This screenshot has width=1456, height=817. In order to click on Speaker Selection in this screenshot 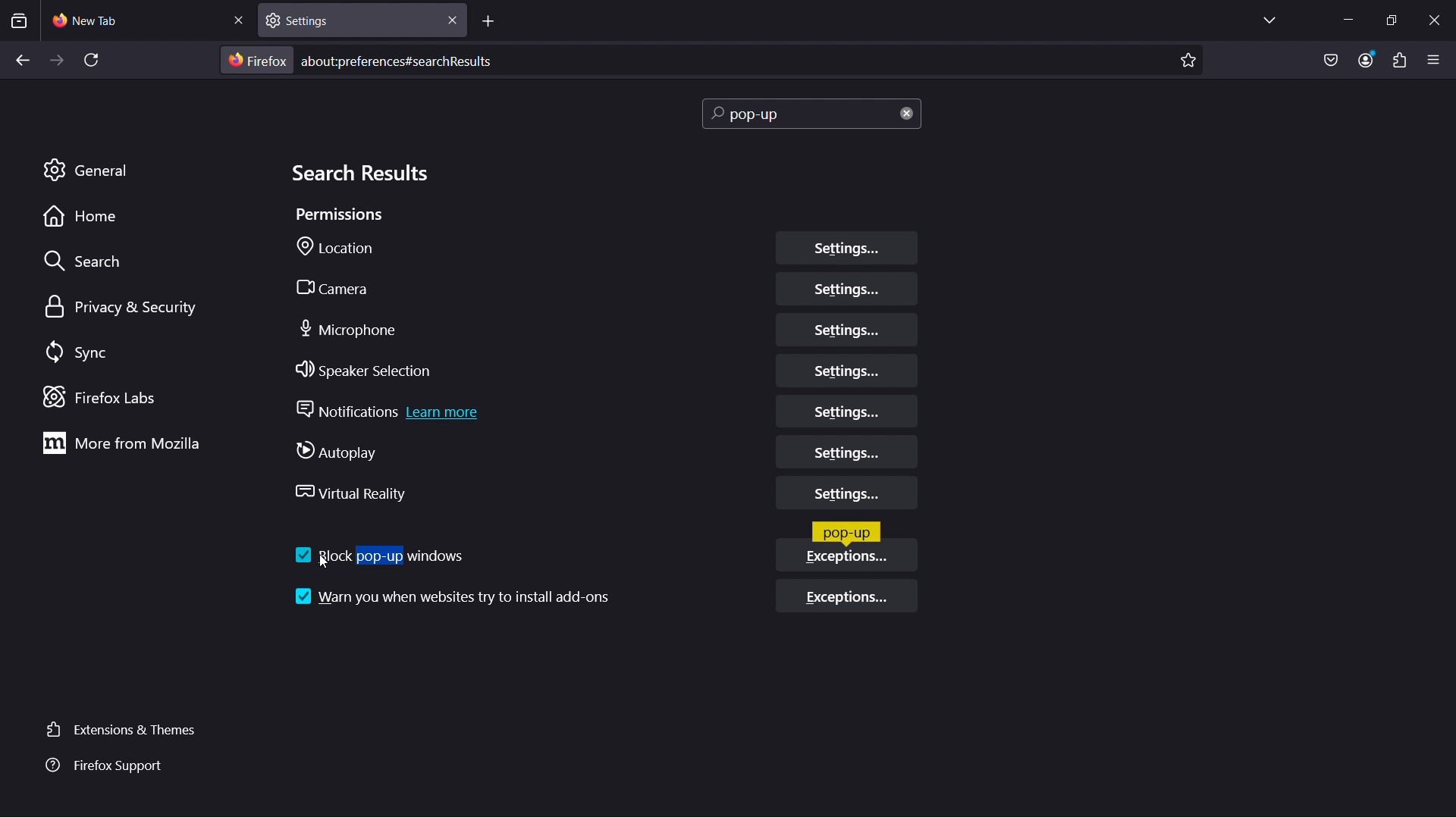, I will do `click(368, 374)`.